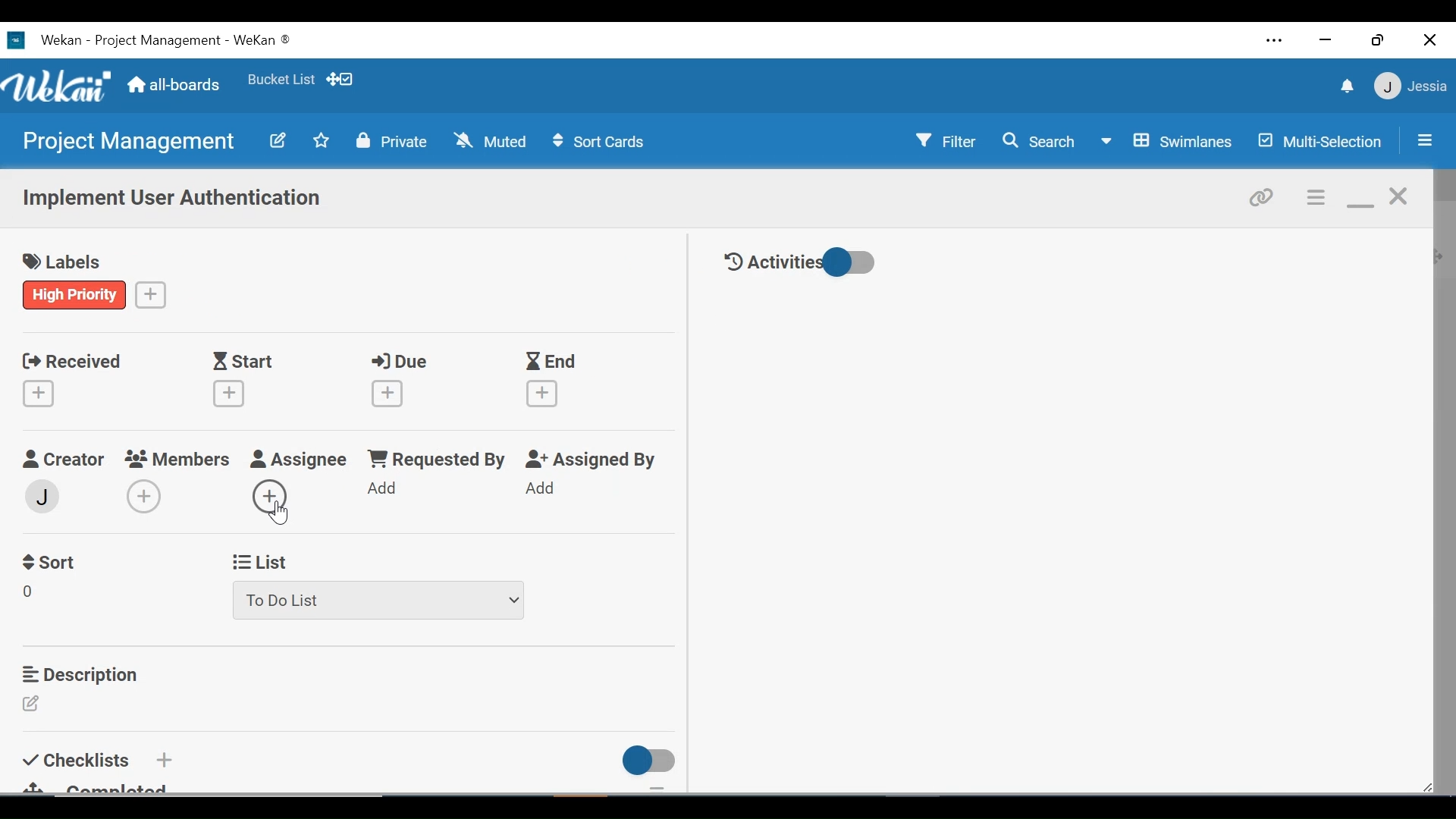  Describe the element at coordinates (1409, 86) in the screenshot. I see `jessia` at that location.